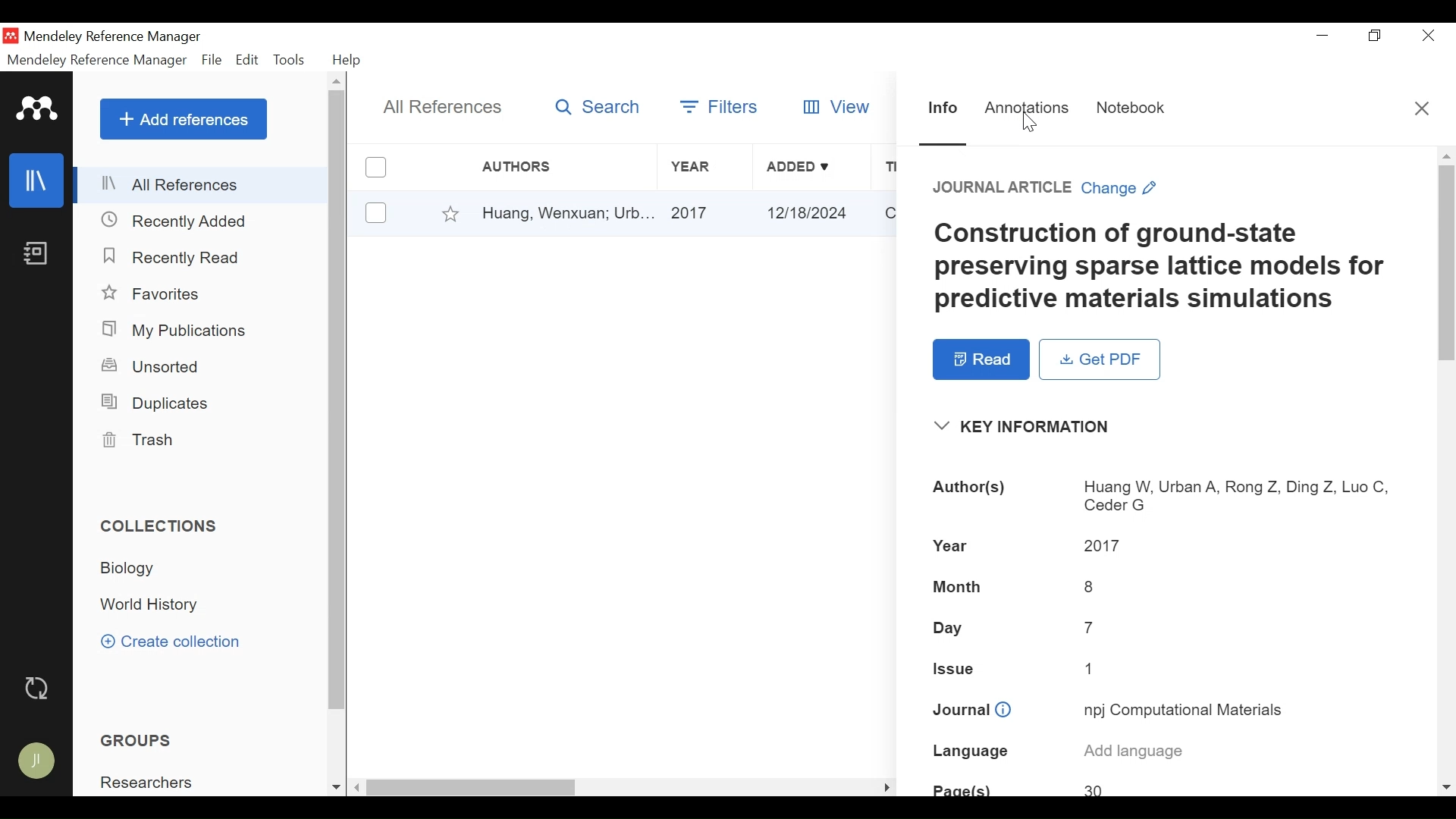 The width and height of the screenshot is (1456, 819). What do you see at coordinates (1104, 547) in the screenshot?
I see `2017` at bounding box center [1104, 547].